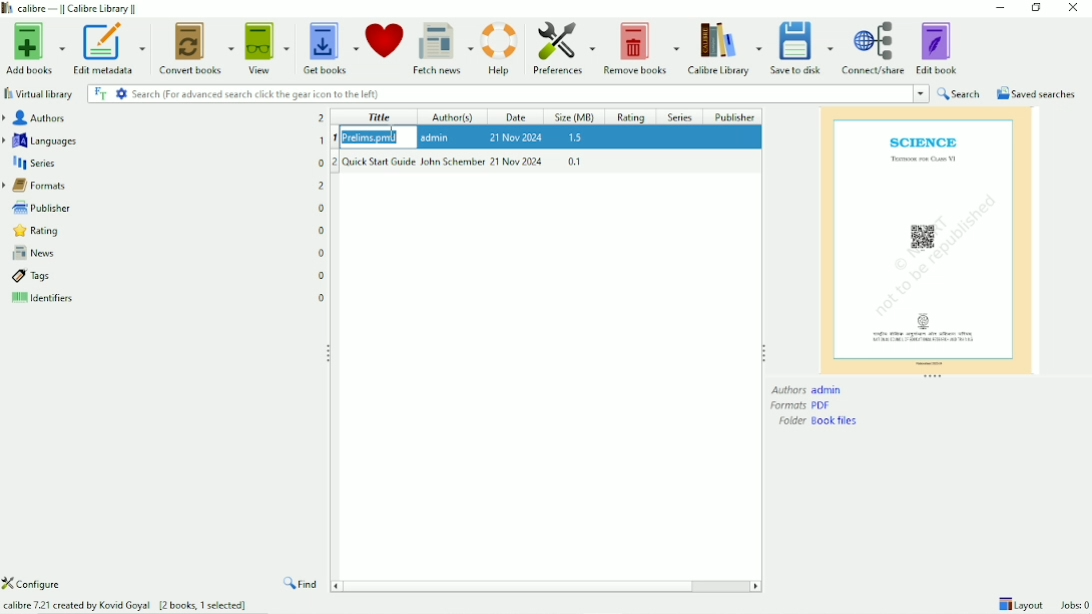 This screenshot has height=614, width=1092. Describe the element at coordinates (379, 161) in the screenshot. I see `Quick Start Guide` at that location.